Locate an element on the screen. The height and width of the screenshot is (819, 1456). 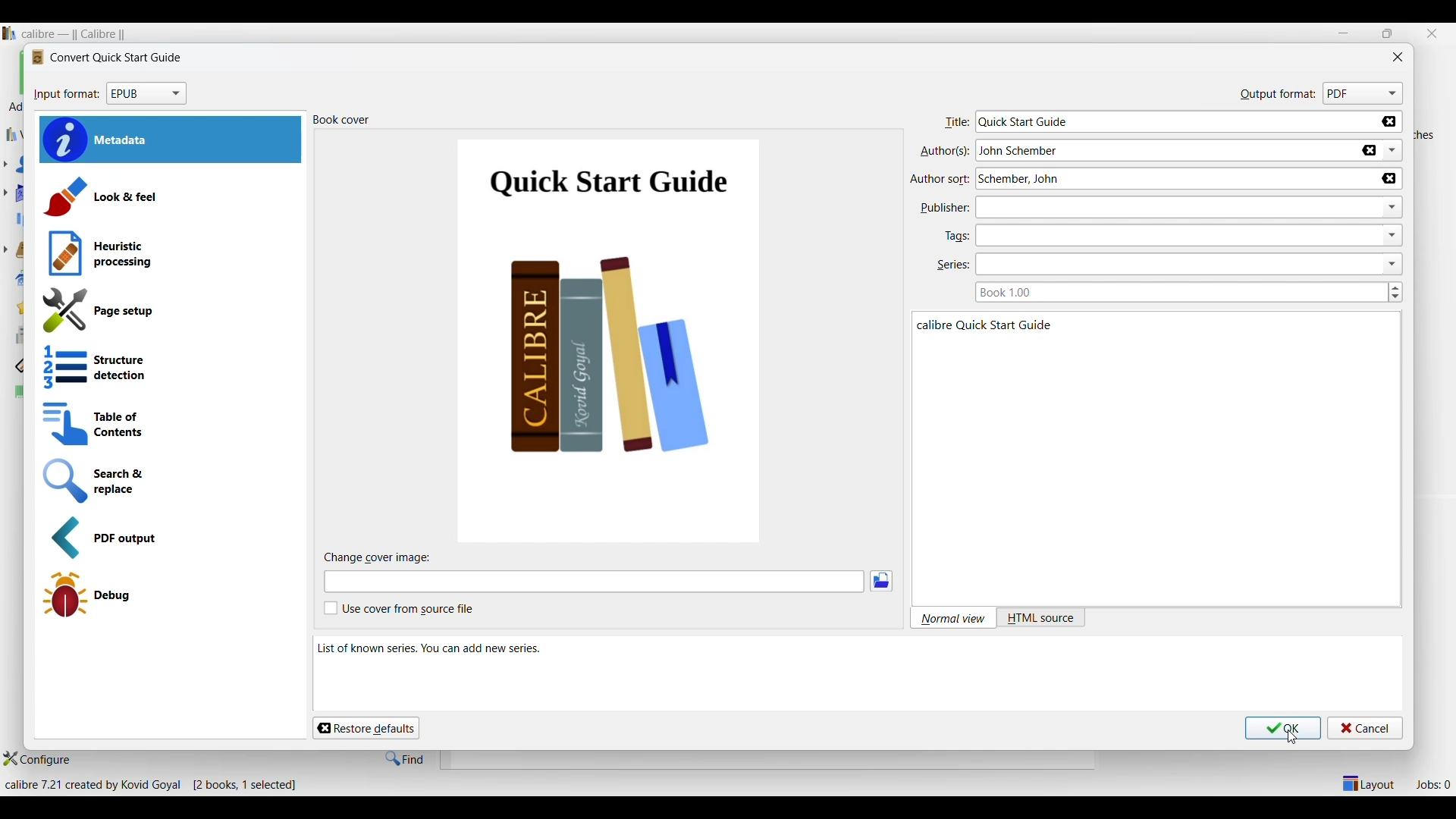
Cancel is located at coordinates (1365, 729).